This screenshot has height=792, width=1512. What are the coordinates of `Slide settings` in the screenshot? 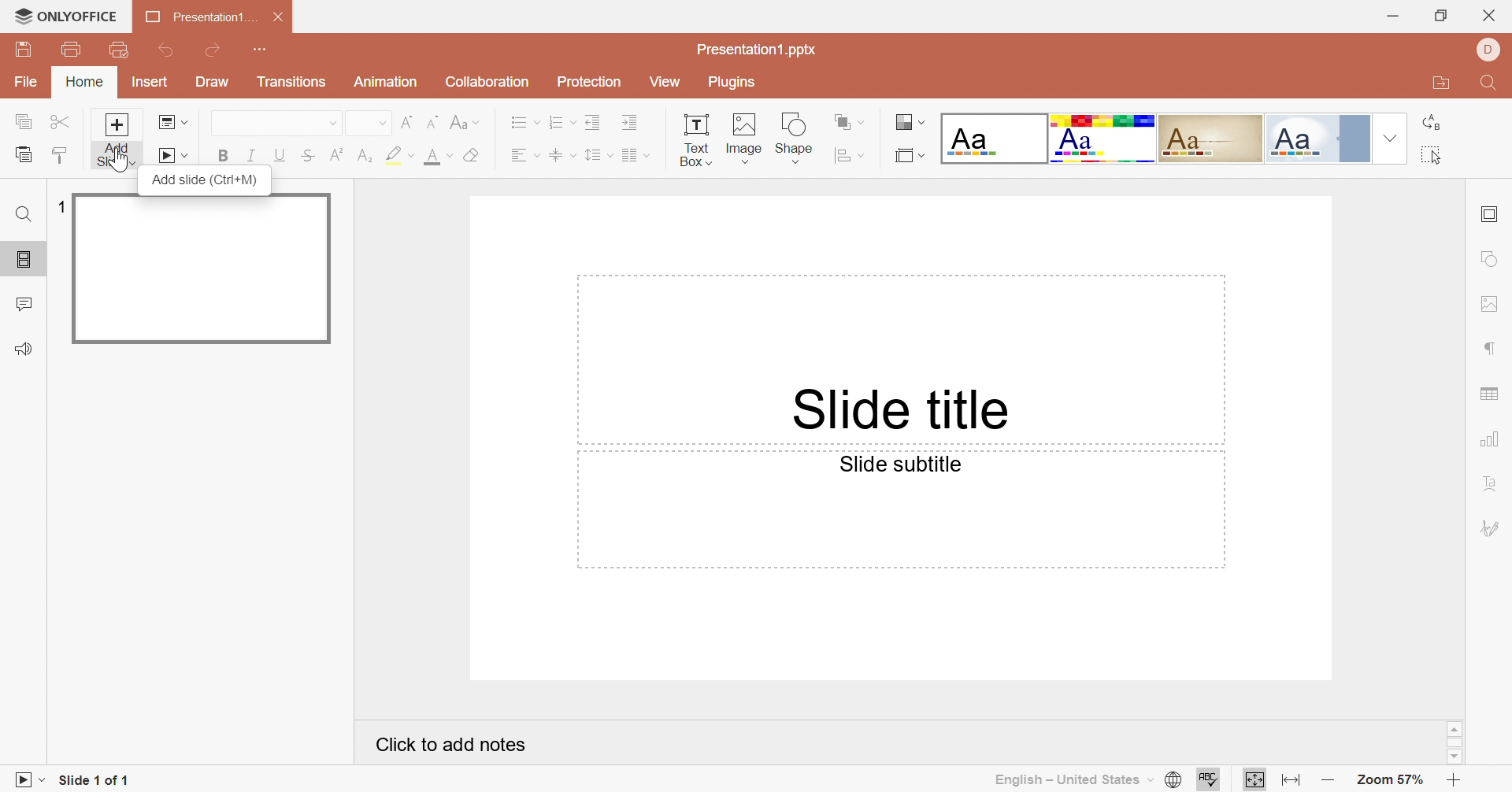 It's located at (1489, 213).